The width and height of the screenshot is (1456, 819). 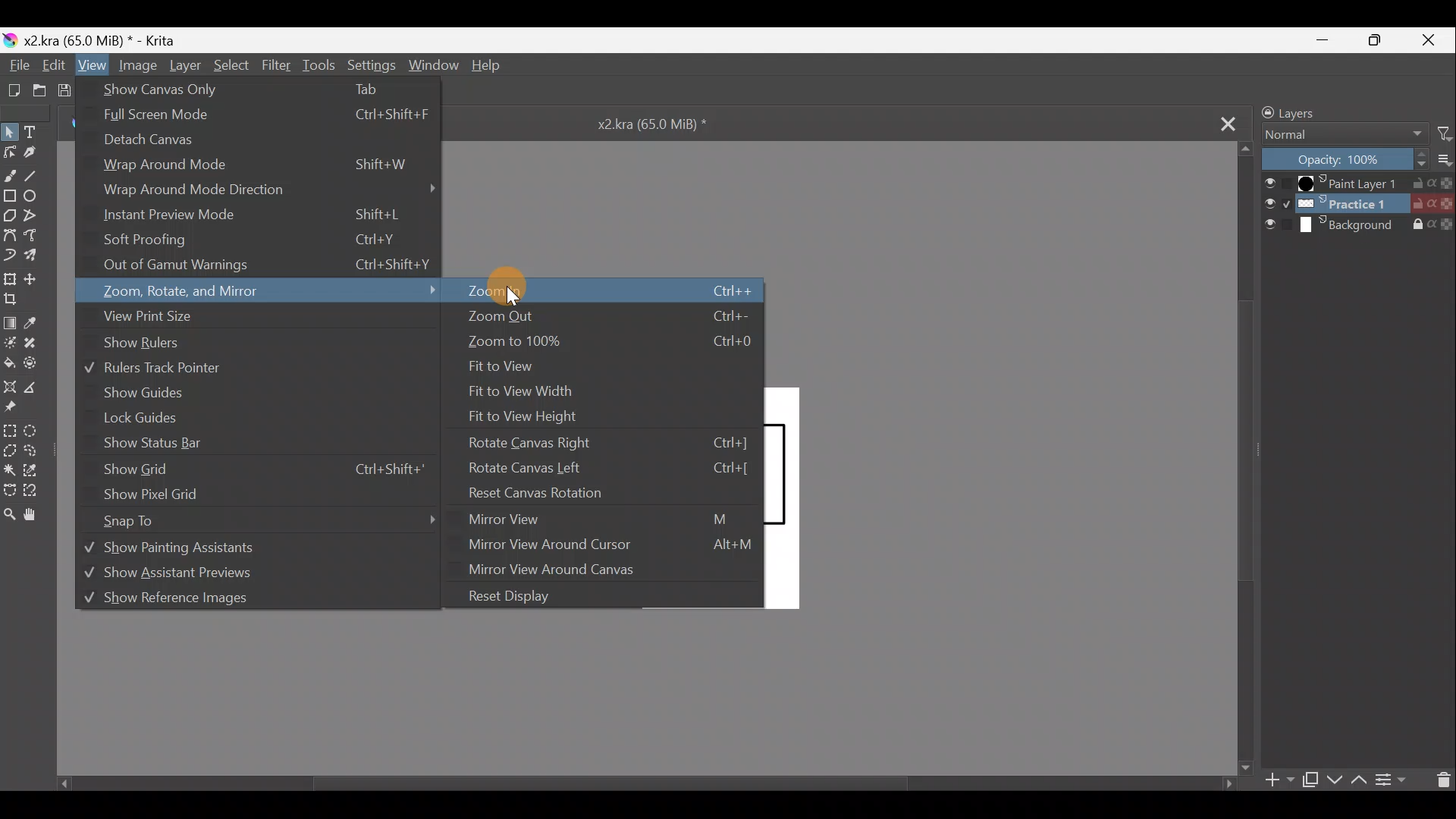 What do you see at coordinates (1359, 224) in the screenshot?
I see `Background` at bounding box center [1359, 224].